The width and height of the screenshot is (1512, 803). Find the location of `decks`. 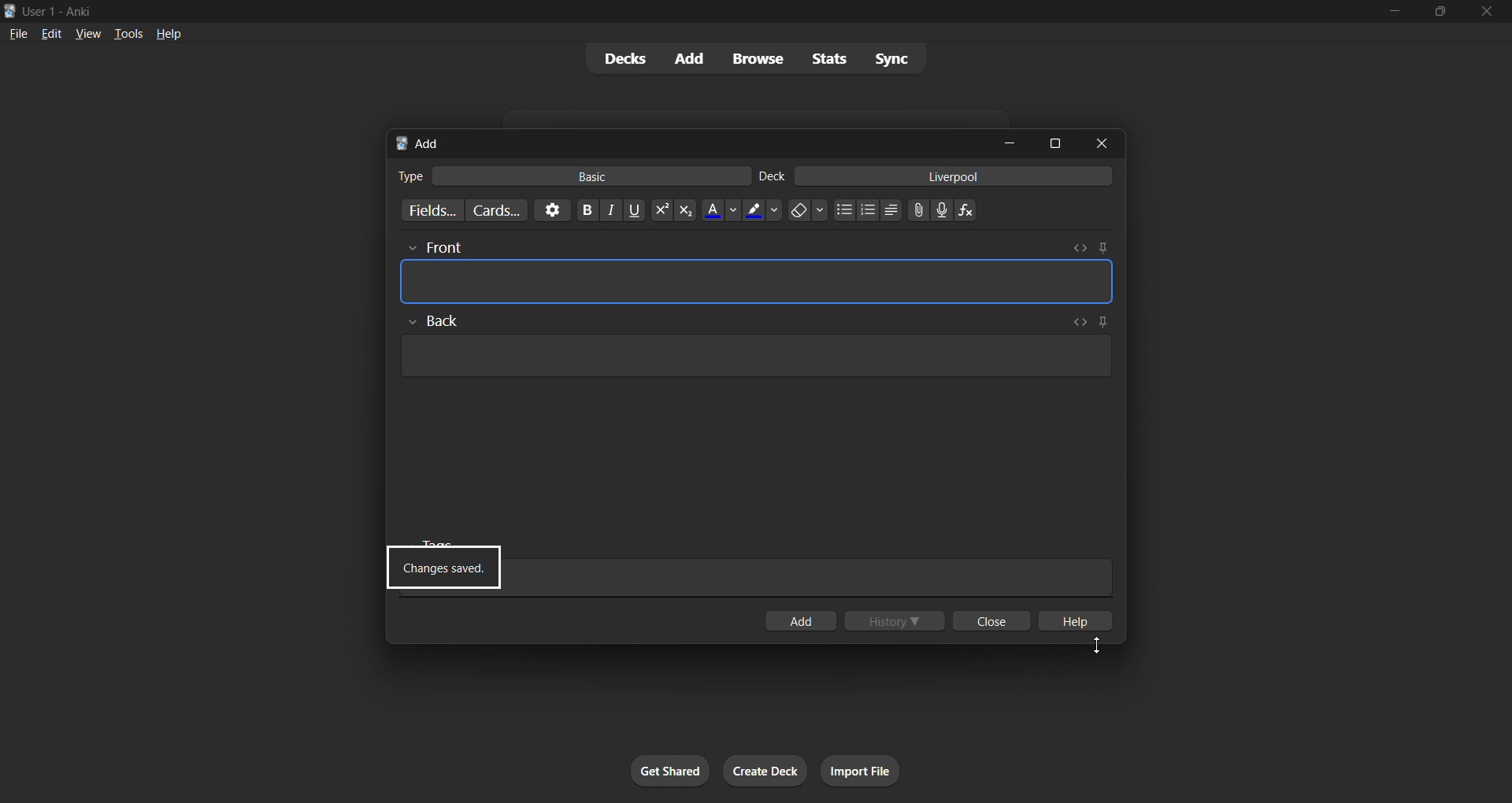

decks is located at coordinates (625, 60).